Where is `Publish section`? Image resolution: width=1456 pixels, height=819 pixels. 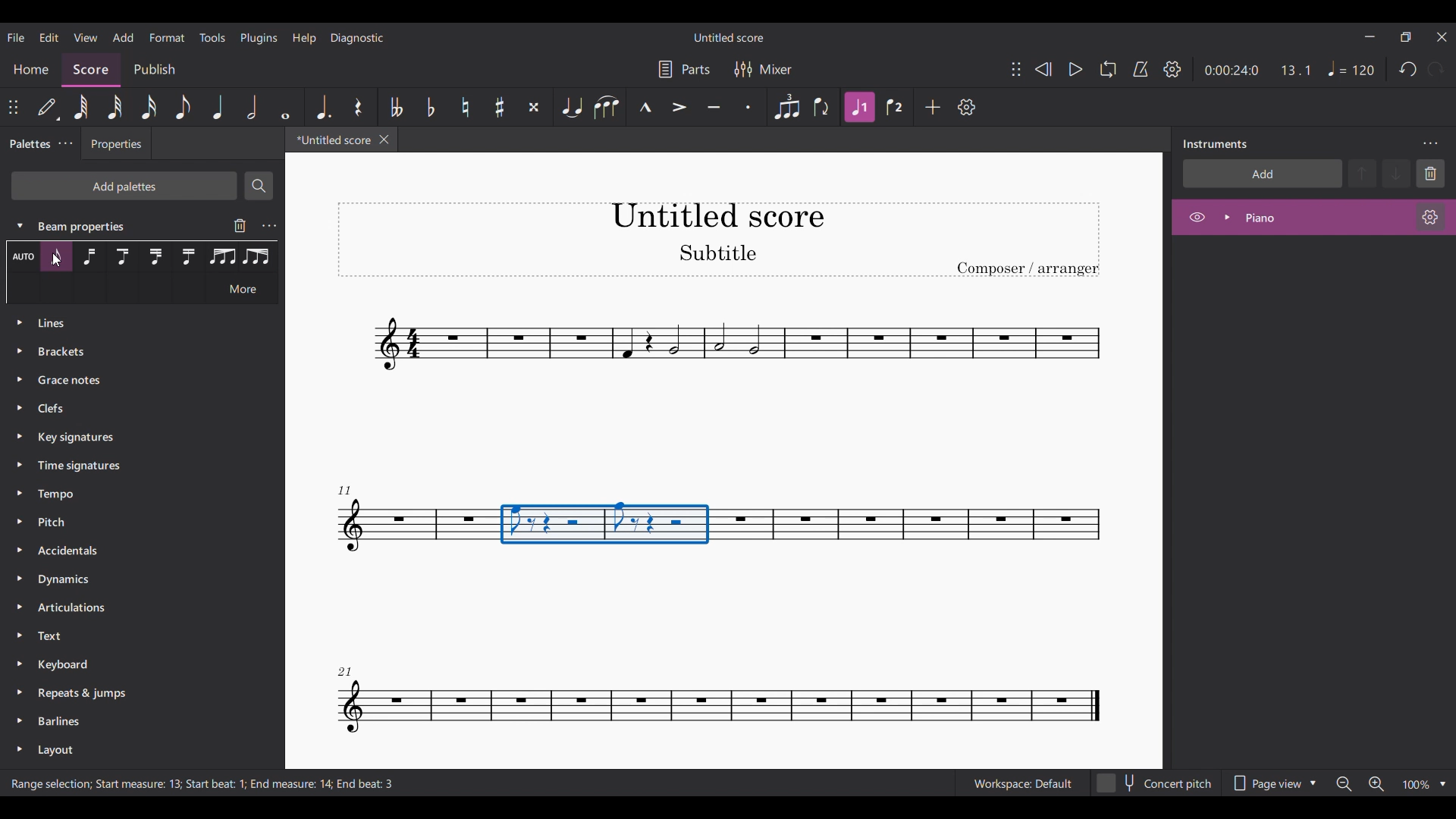 Publish section is located at coordinates (154, 67).